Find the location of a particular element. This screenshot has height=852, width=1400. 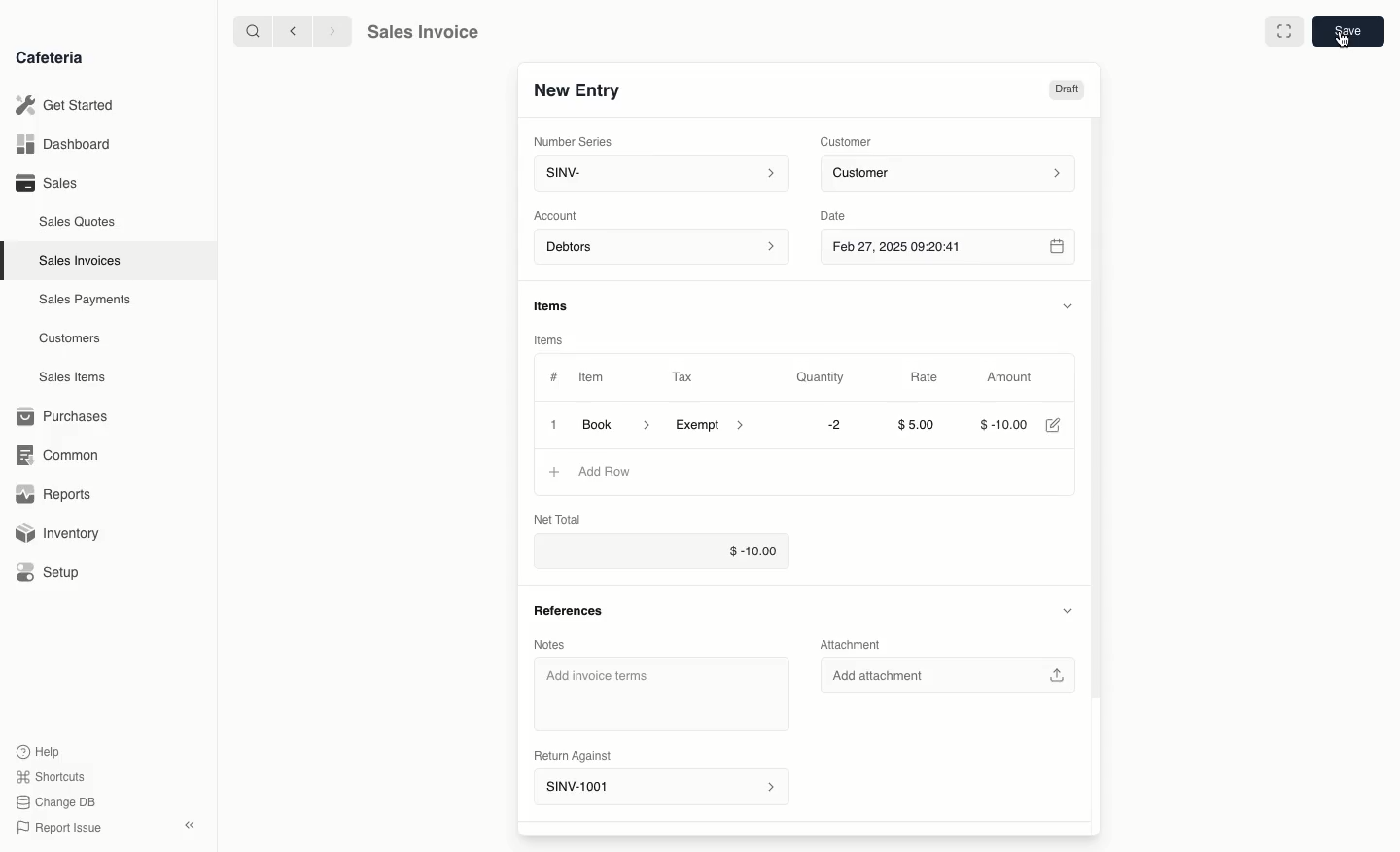

‘Number Series is located at coordinates (573, 139).